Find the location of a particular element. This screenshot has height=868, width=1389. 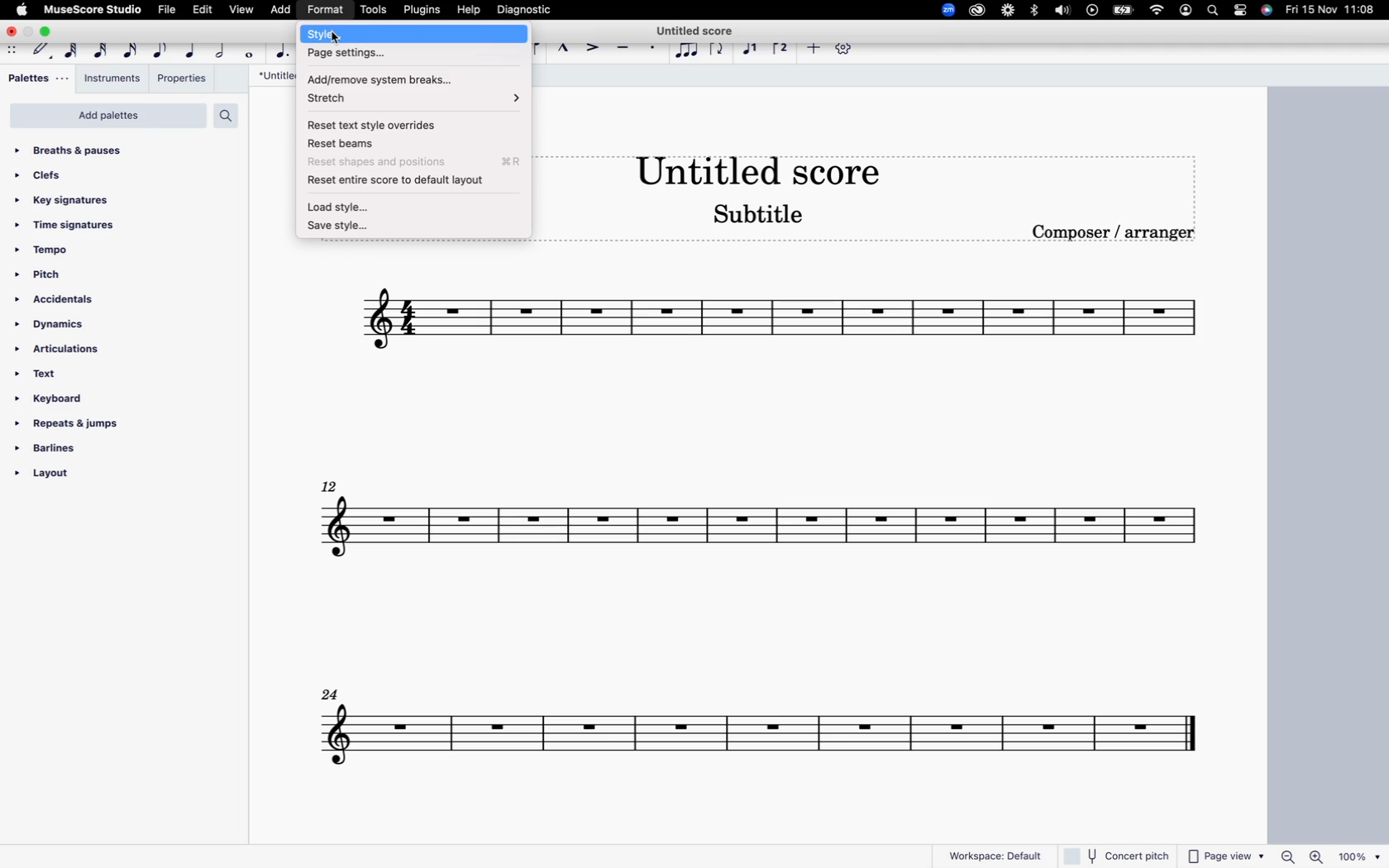

stretch is located at coordinates (344, 98).